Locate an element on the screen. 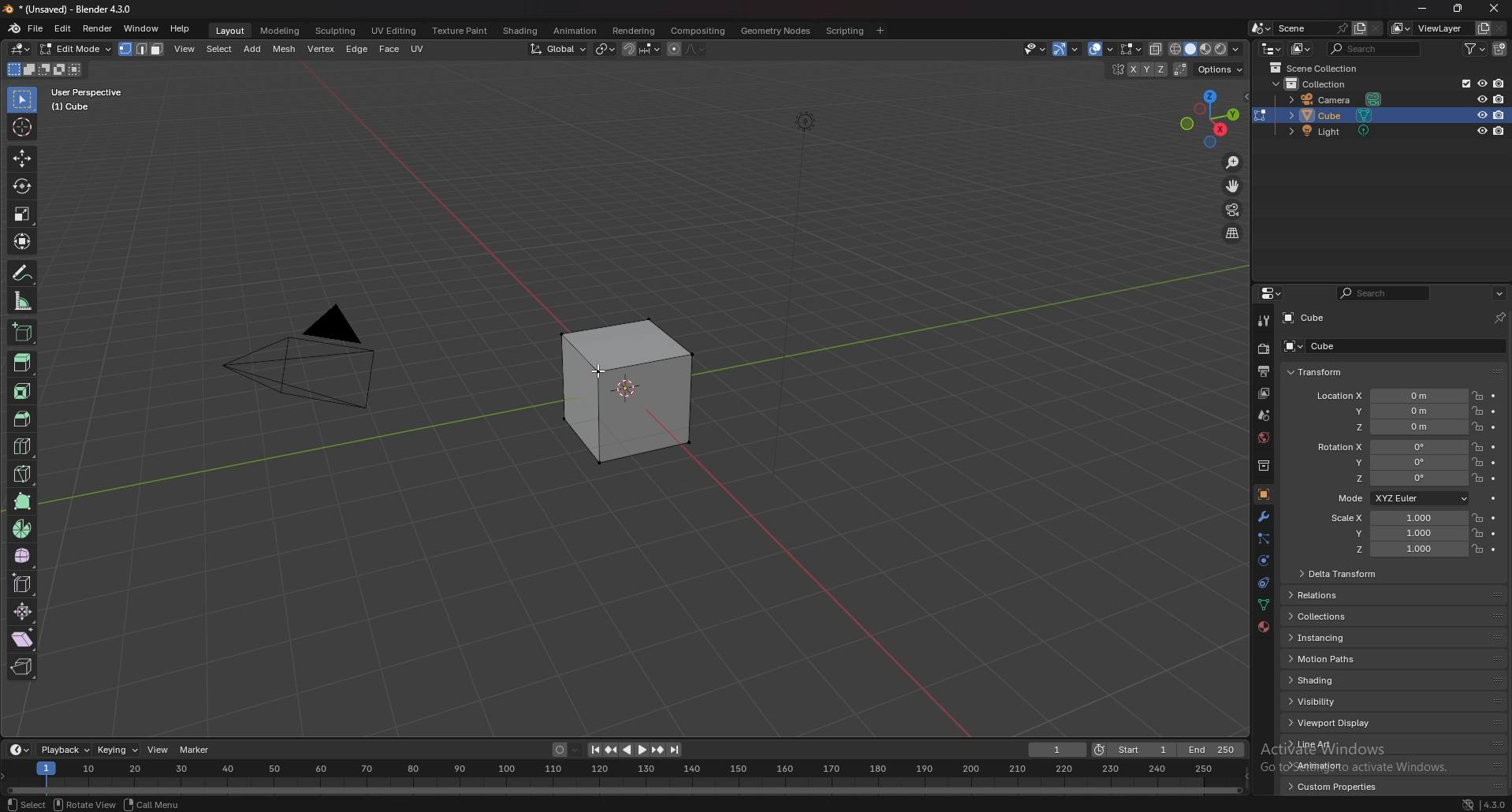 Image resolution: width=1512 pixels, height=812 pixels. lock location is located at coordinates (1478, 518).